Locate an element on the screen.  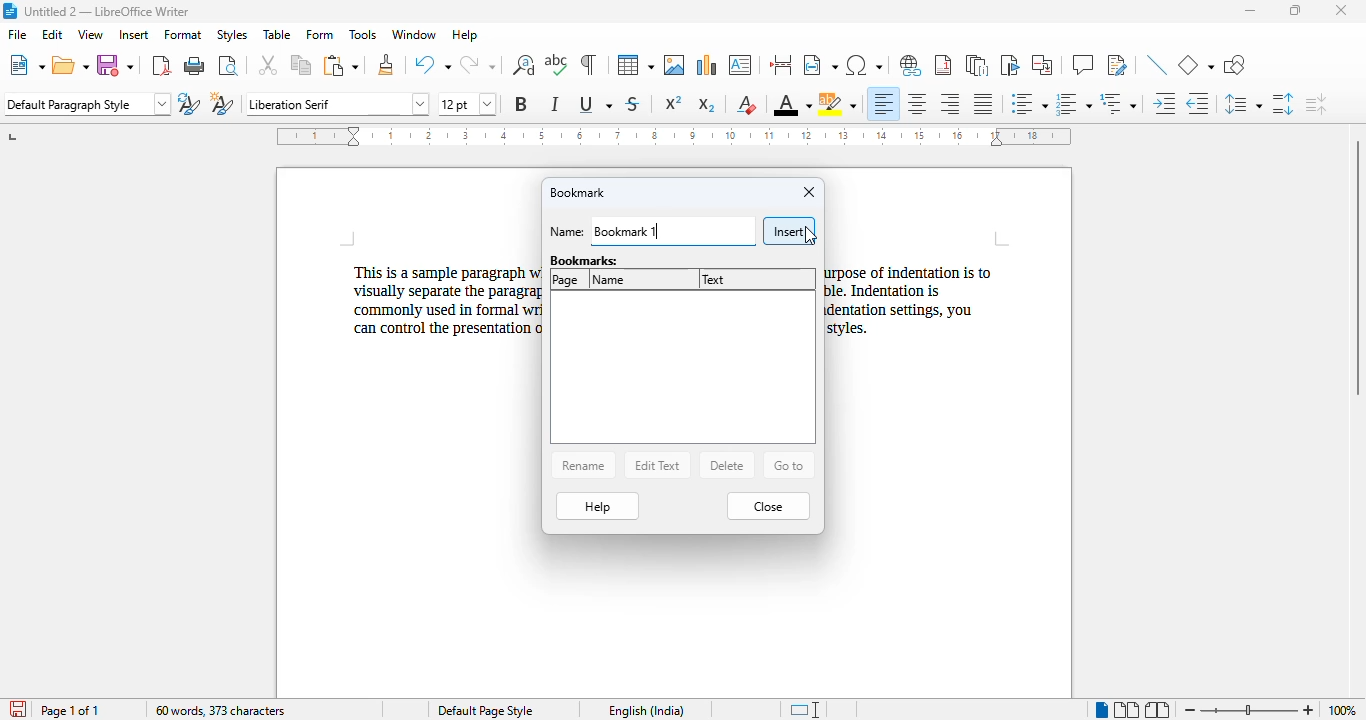
vertical scroll bar is located at coordinates (1357, 267).